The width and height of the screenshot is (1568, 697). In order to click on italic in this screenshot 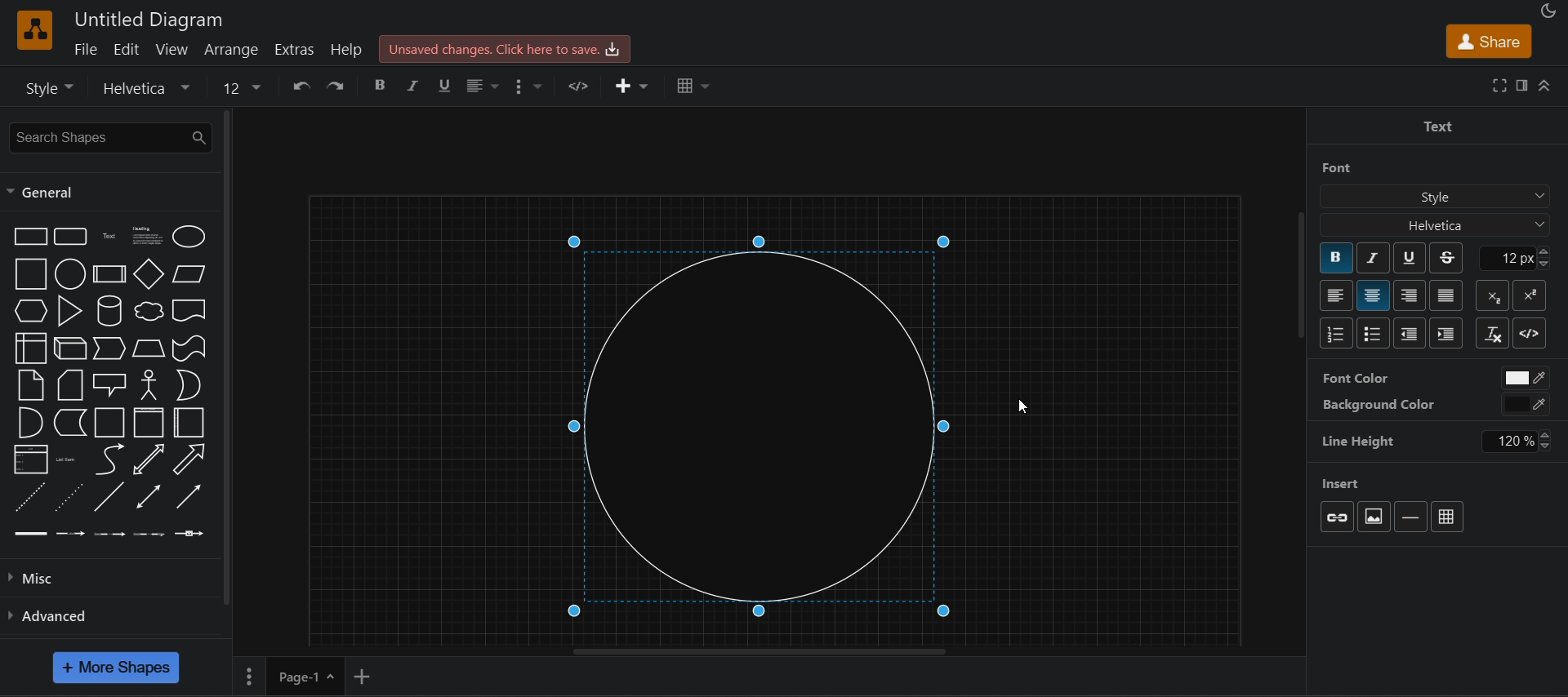, I will do `click(1377, 257)`.